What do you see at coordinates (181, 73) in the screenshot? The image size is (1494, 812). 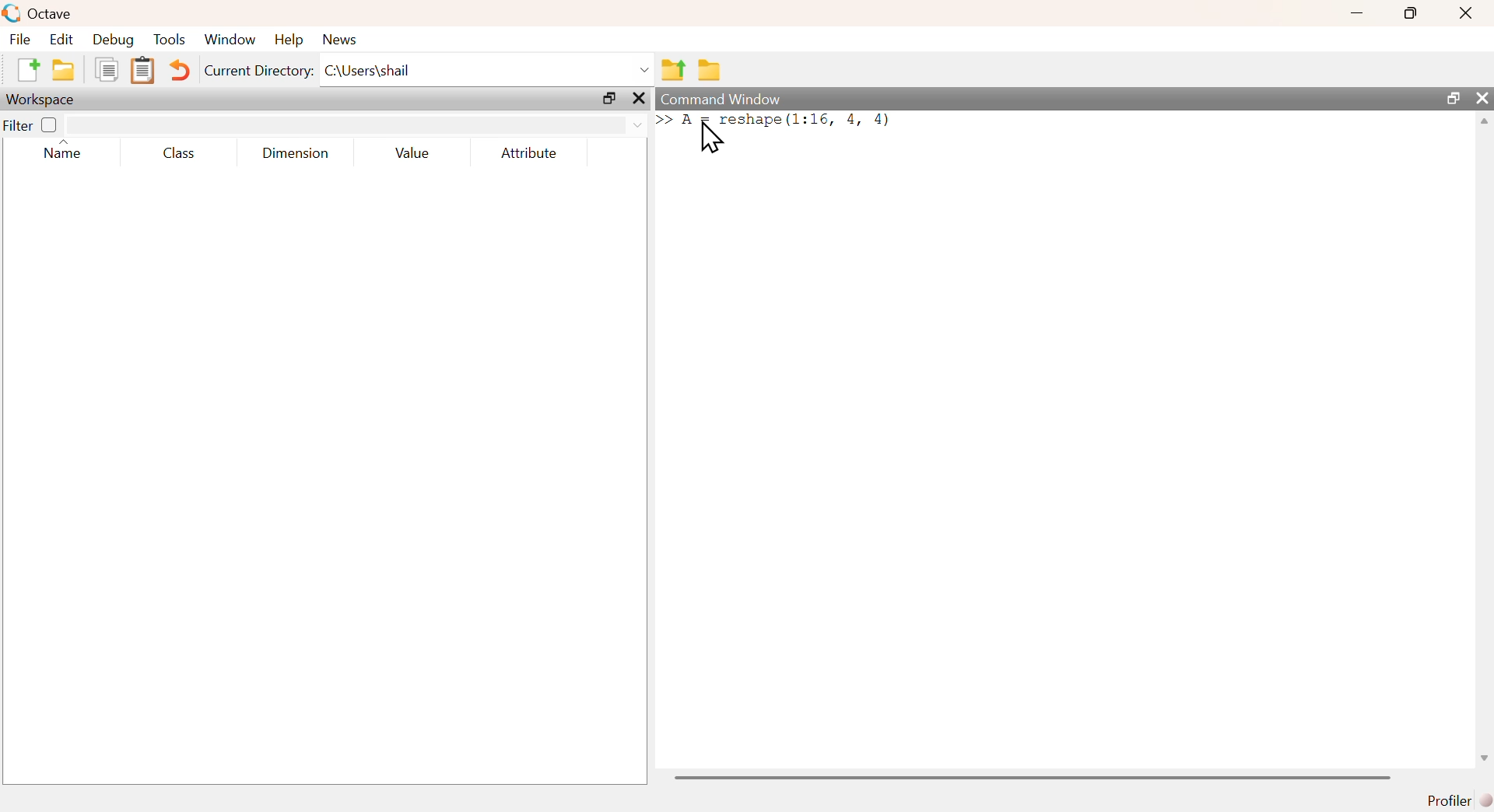 I see `undo` at bounding box center [181, 73].